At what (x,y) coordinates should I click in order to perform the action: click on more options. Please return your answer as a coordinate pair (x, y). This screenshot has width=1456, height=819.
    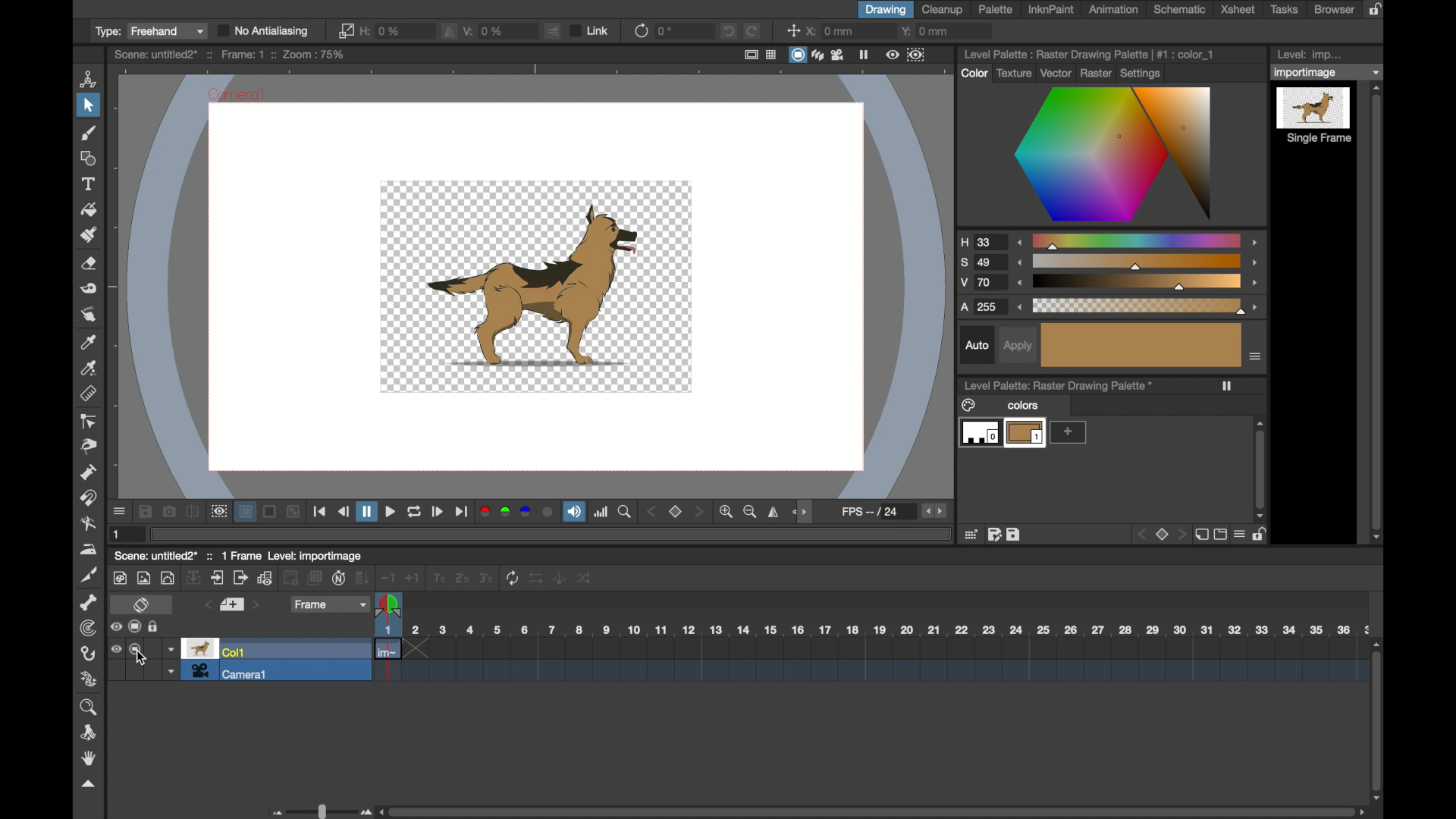
    Looking at the image, I should click on (1256, 356).